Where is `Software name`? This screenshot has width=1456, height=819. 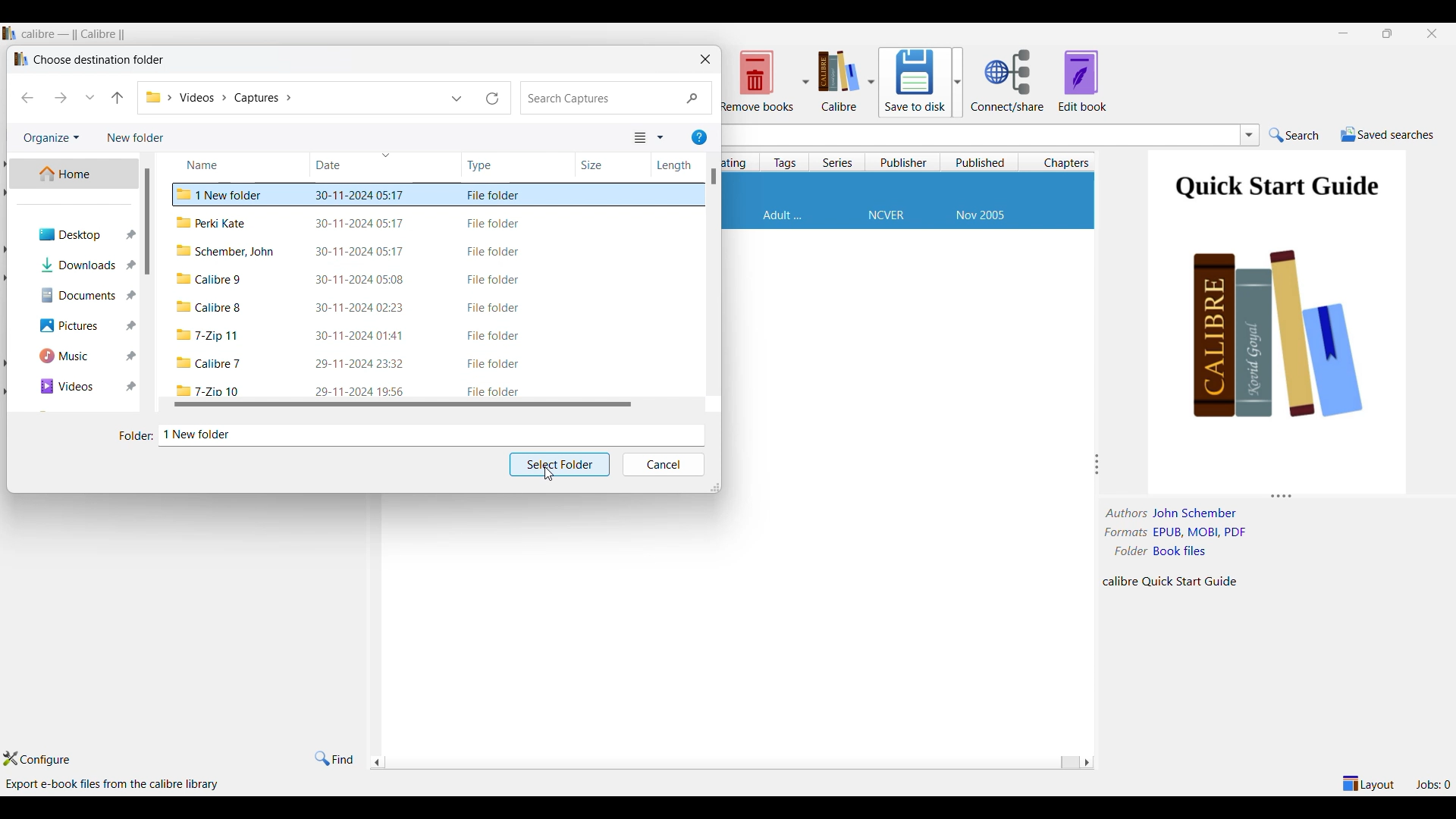 Software name is located at coordinates (74, 34).